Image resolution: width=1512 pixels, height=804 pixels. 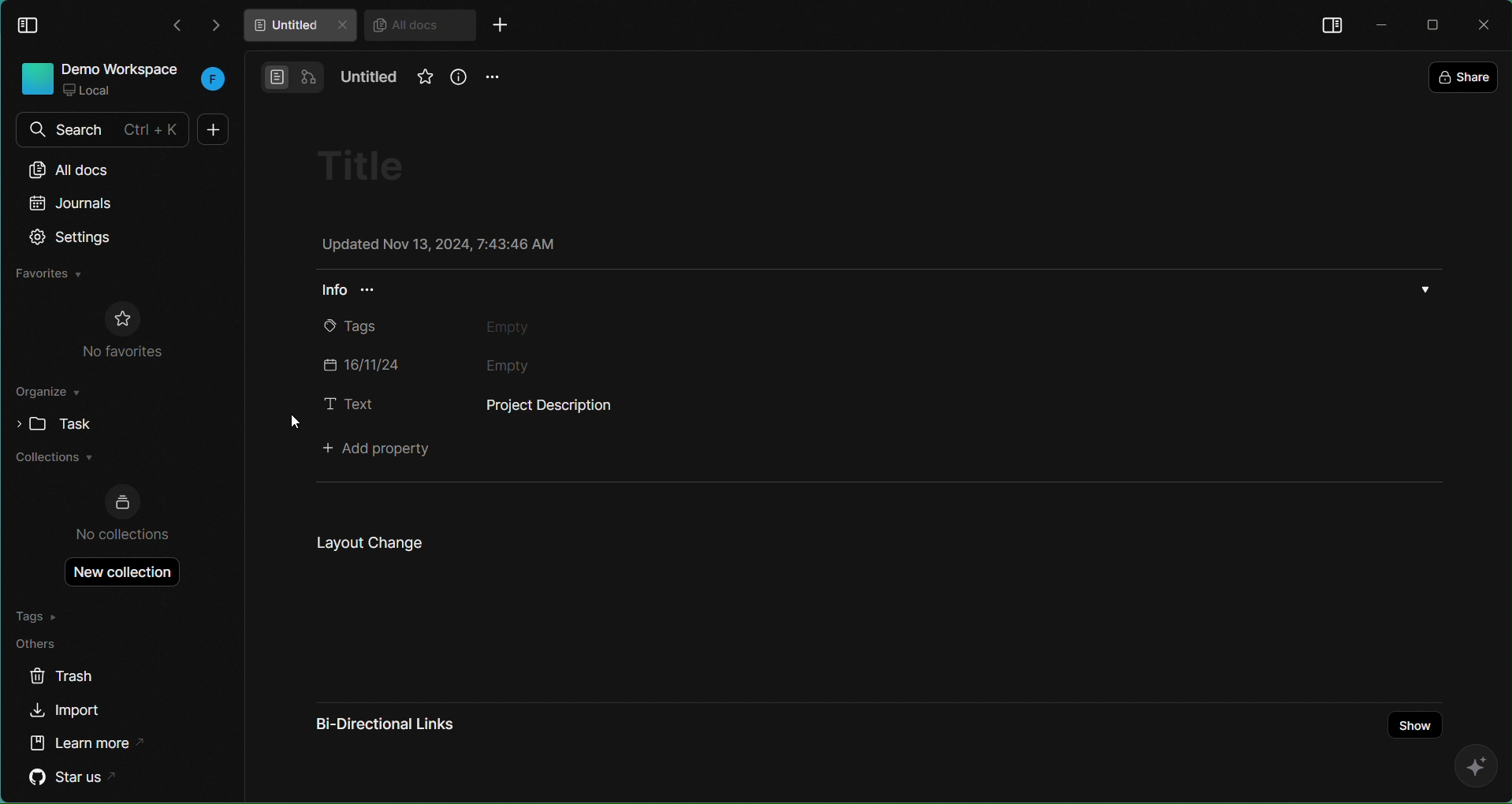 I want to click on import, so click(x=67, y=712).